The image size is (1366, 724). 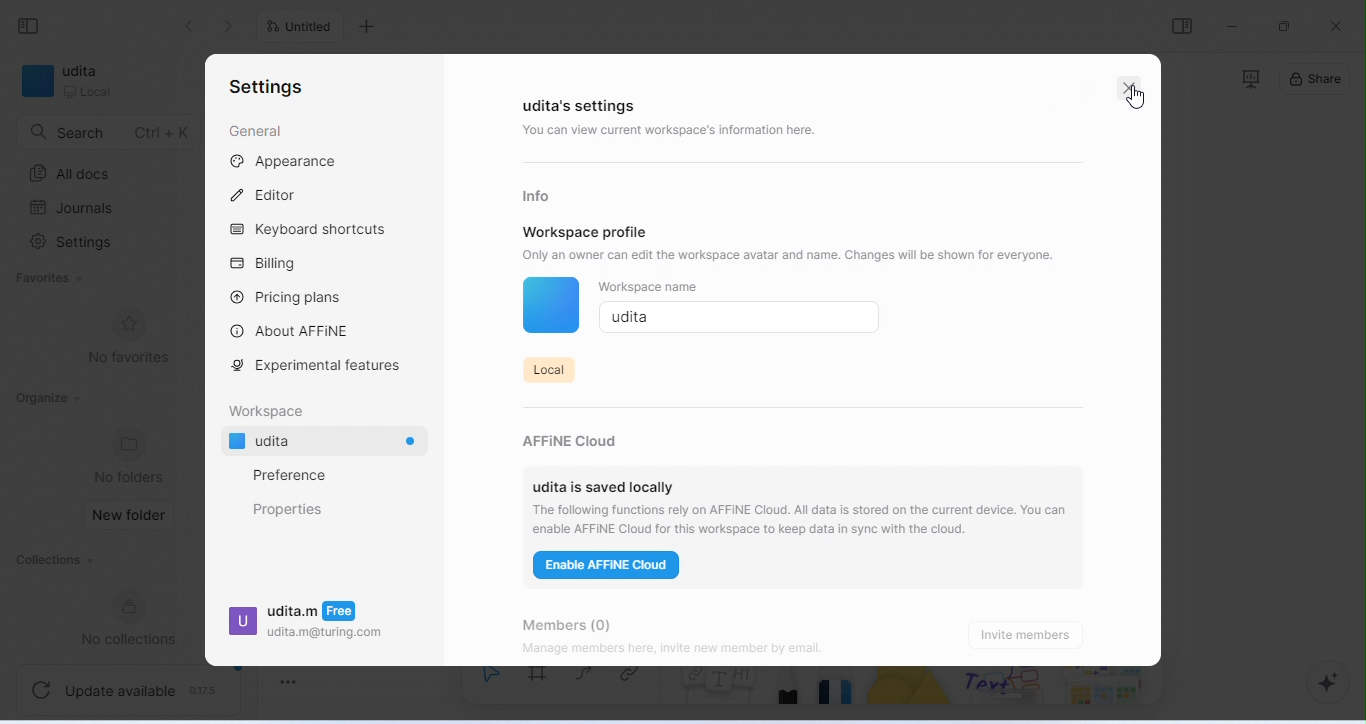 What do you see at coordinates (74, 208) in the screenshot?
I see `journals` at bounding box center [74, 208].